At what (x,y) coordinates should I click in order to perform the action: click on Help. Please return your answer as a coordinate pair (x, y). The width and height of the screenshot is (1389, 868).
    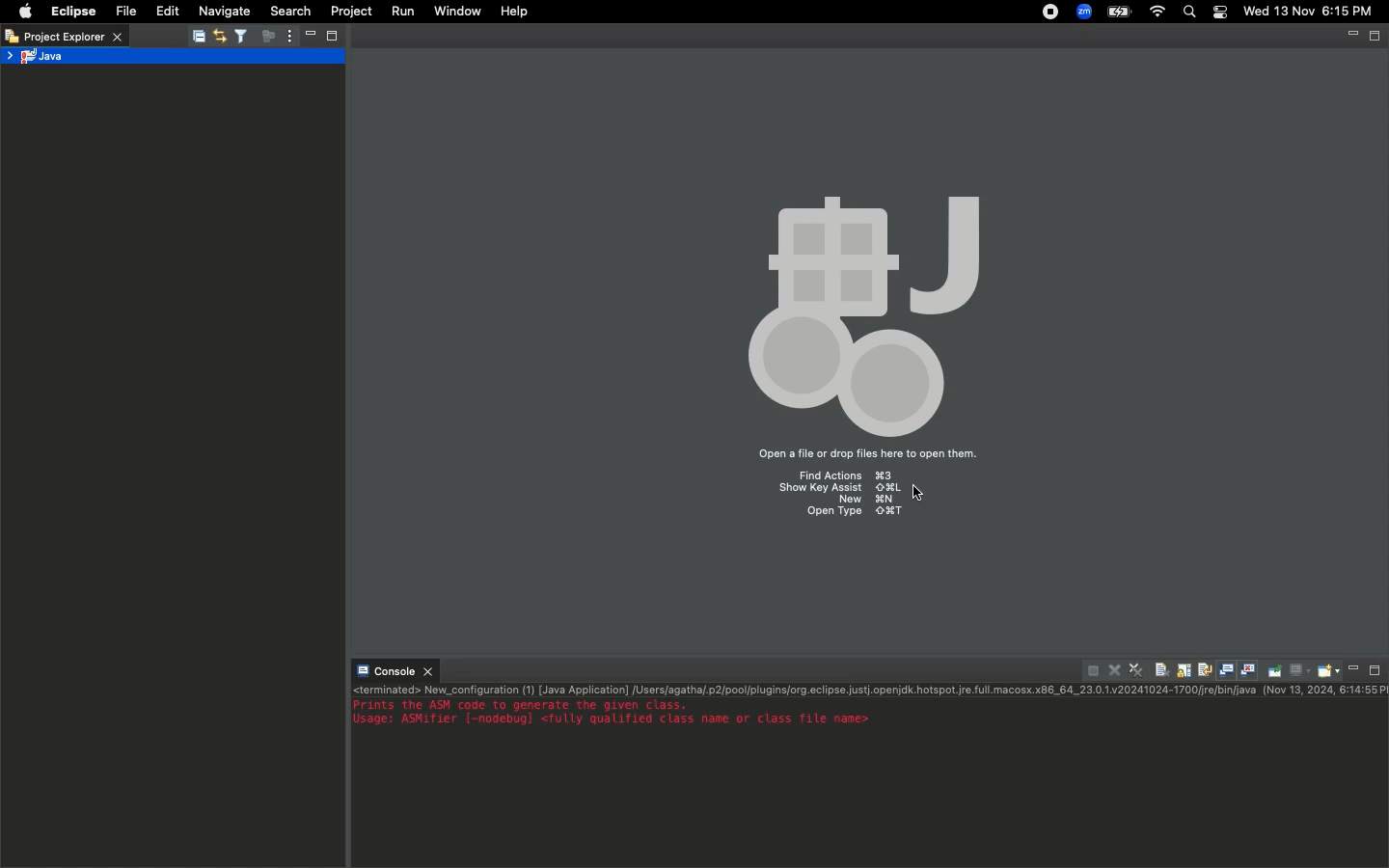
    Looking at the image, I should click on (519, 11).